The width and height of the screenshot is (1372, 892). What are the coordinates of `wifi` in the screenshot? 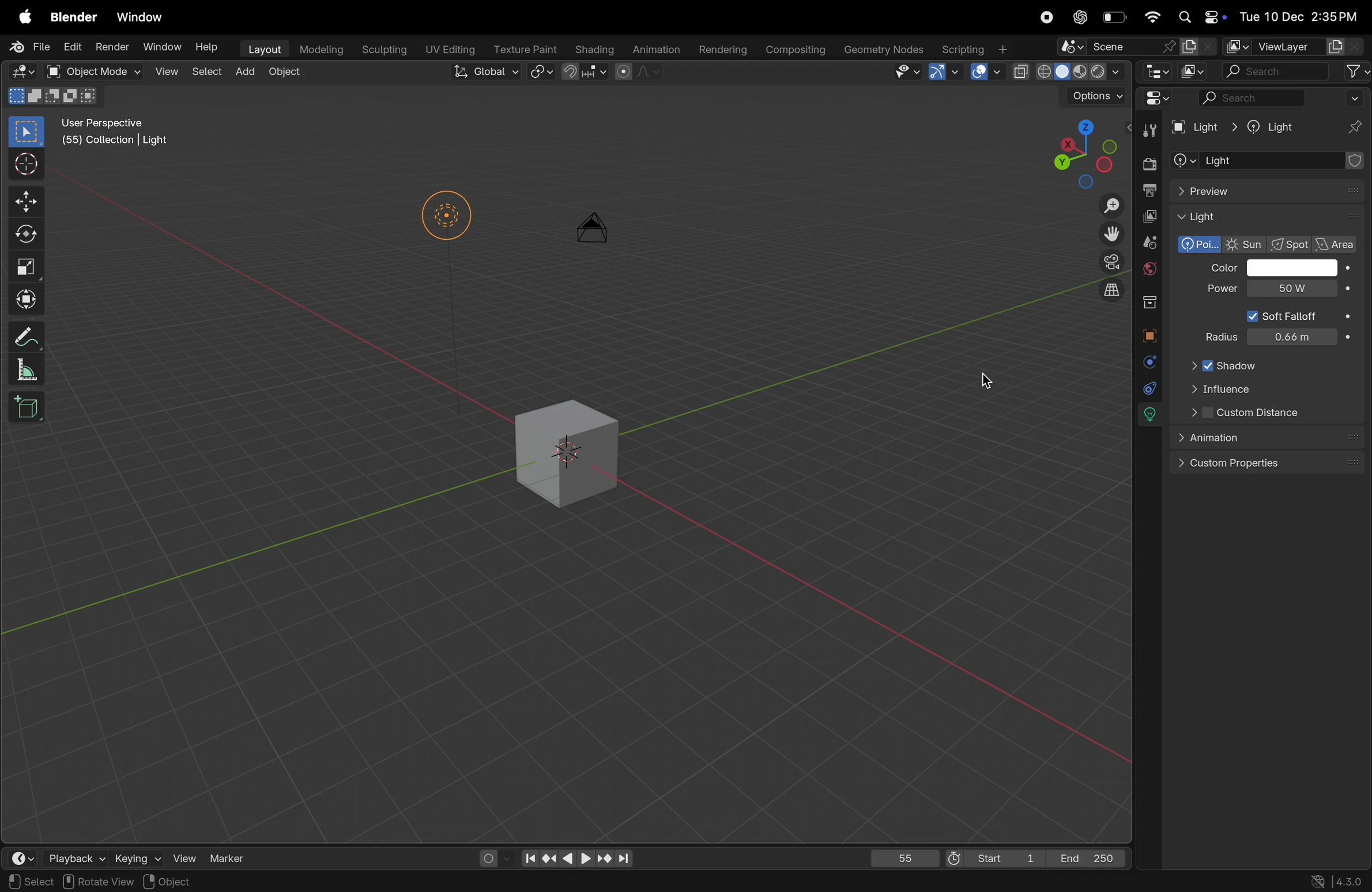 It's located at (1149, 16).